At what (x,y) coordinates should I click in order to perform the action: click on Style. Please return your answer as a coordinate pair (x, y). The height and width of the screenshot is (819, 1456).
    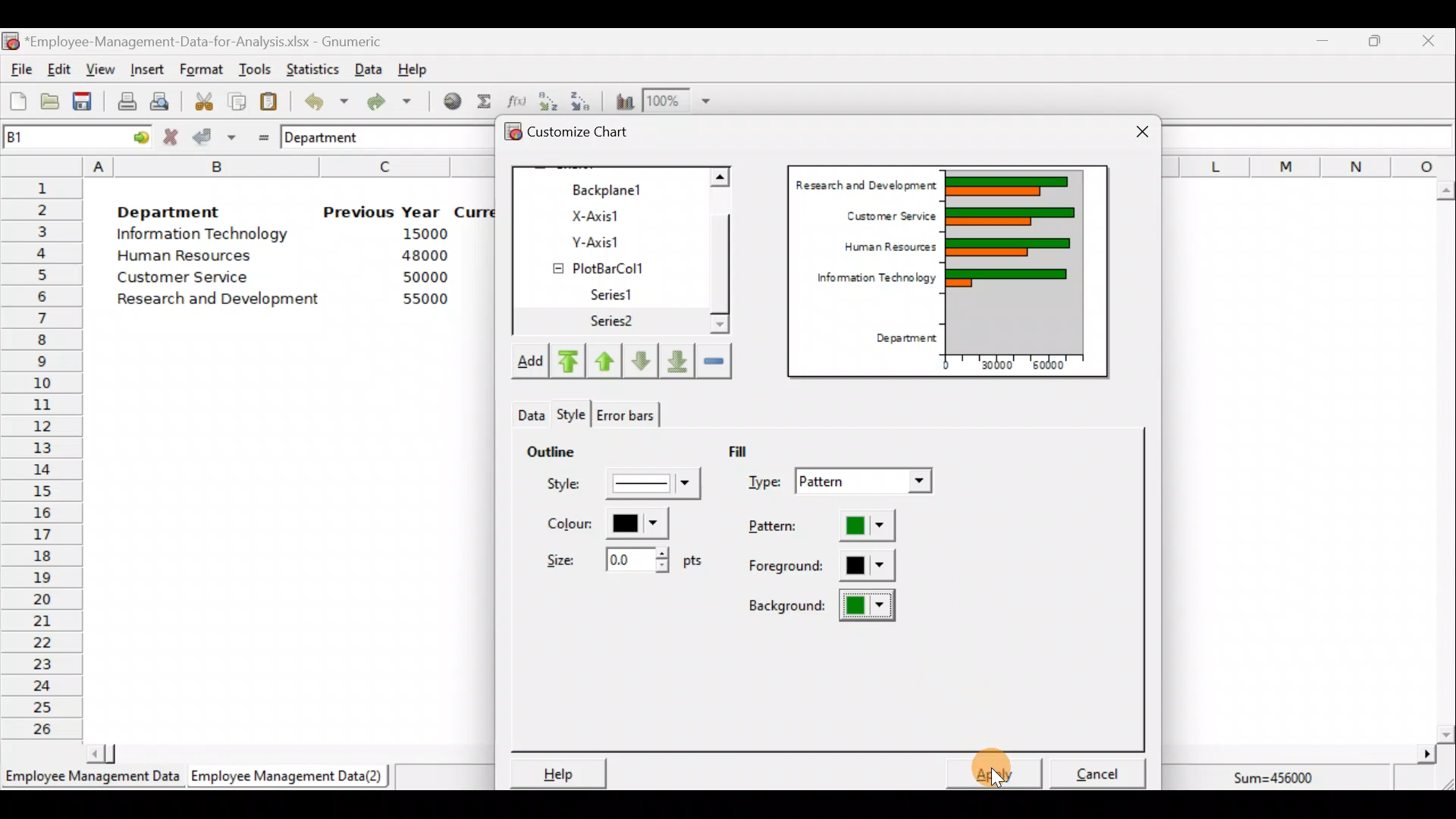
    Looking at the image, I should click on (529, 411).